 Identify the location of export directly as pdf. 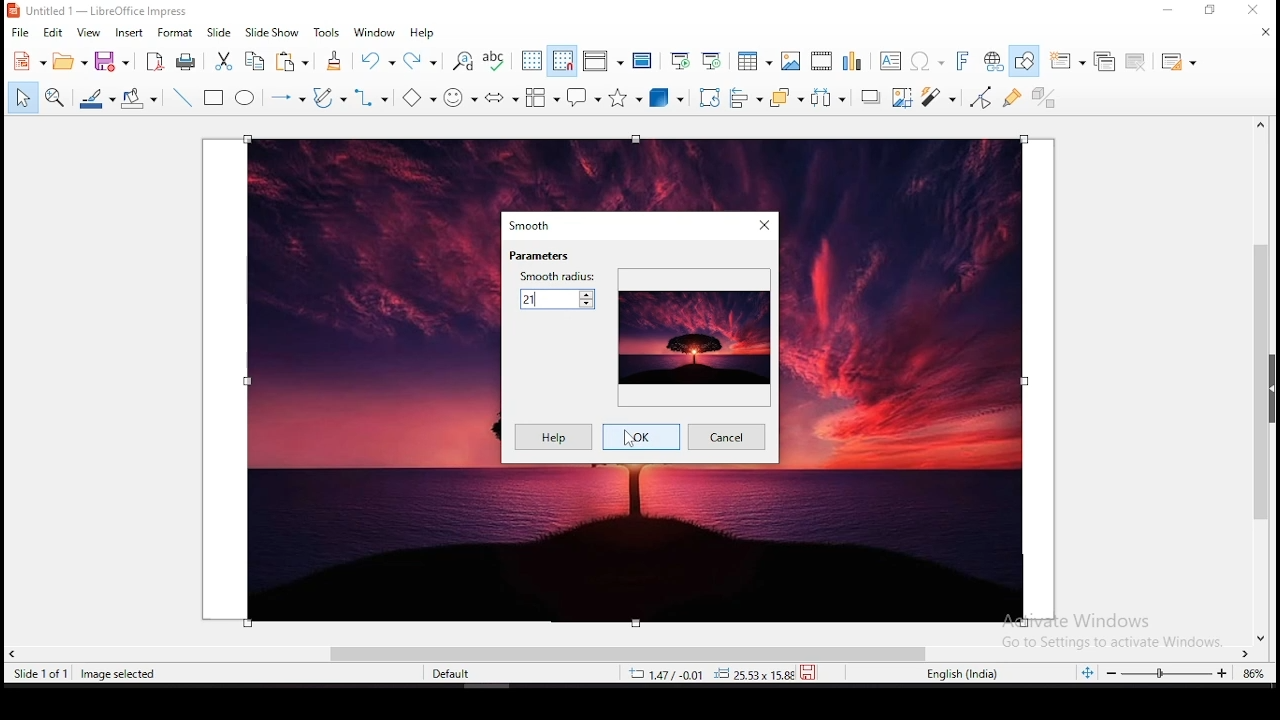
(152, 62).